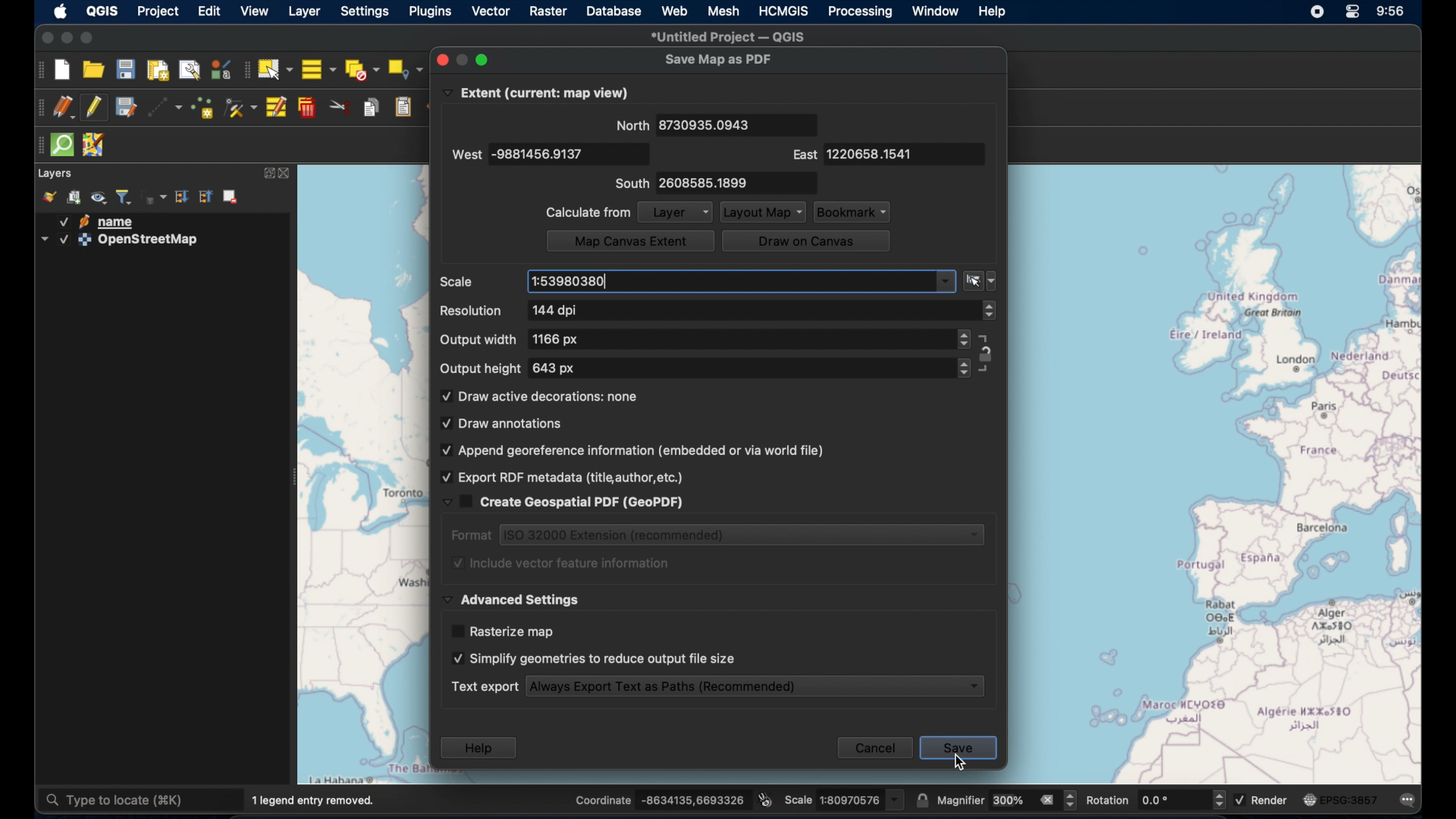 Image resolution: width=1456 pixels, height=819 pixels. I want to click on add point feature, so click(202, 108).